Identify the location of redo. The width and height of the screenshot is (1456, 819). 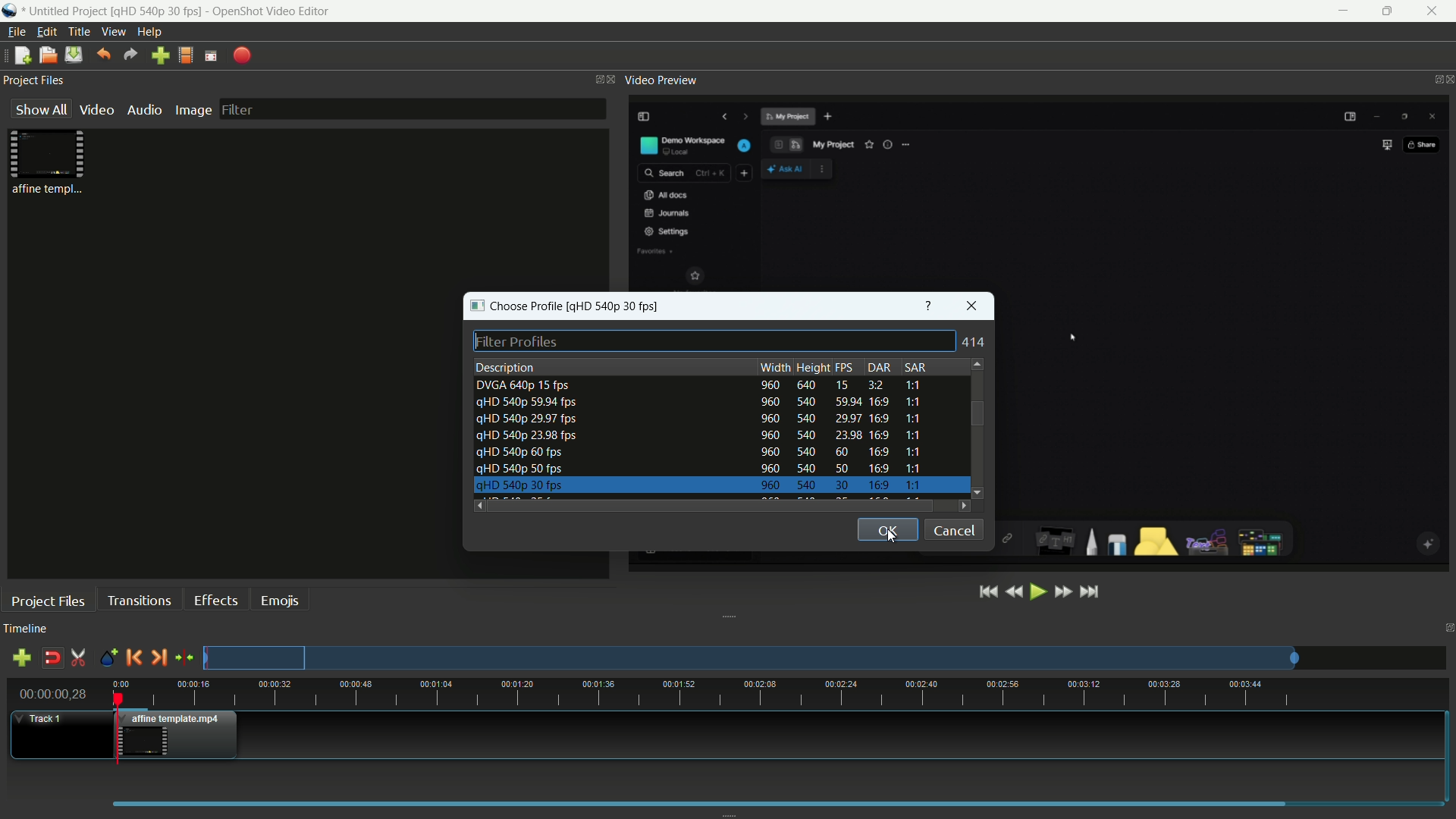
(130, 55).